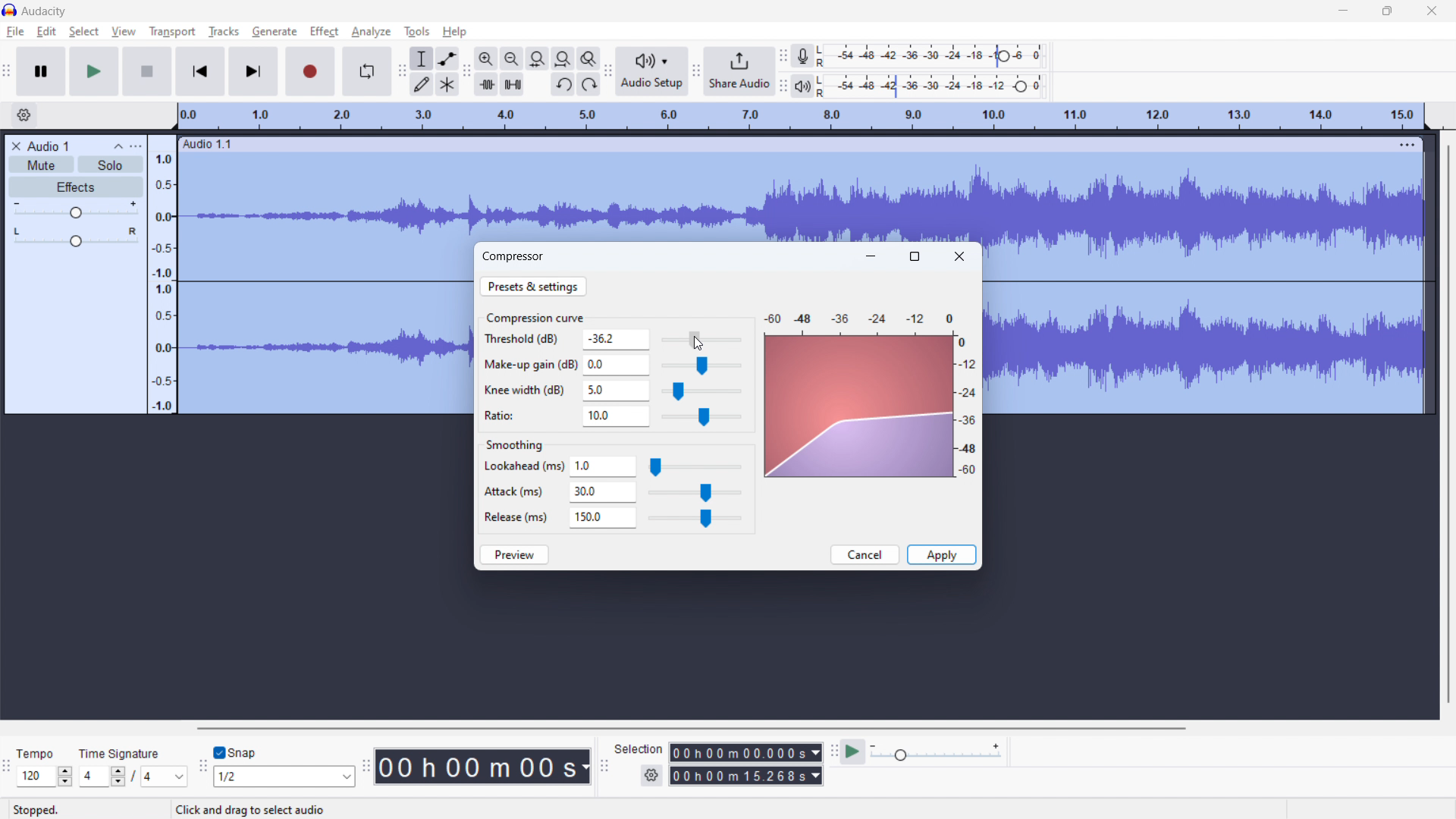  I want to click on Selection, so click(639, 747).